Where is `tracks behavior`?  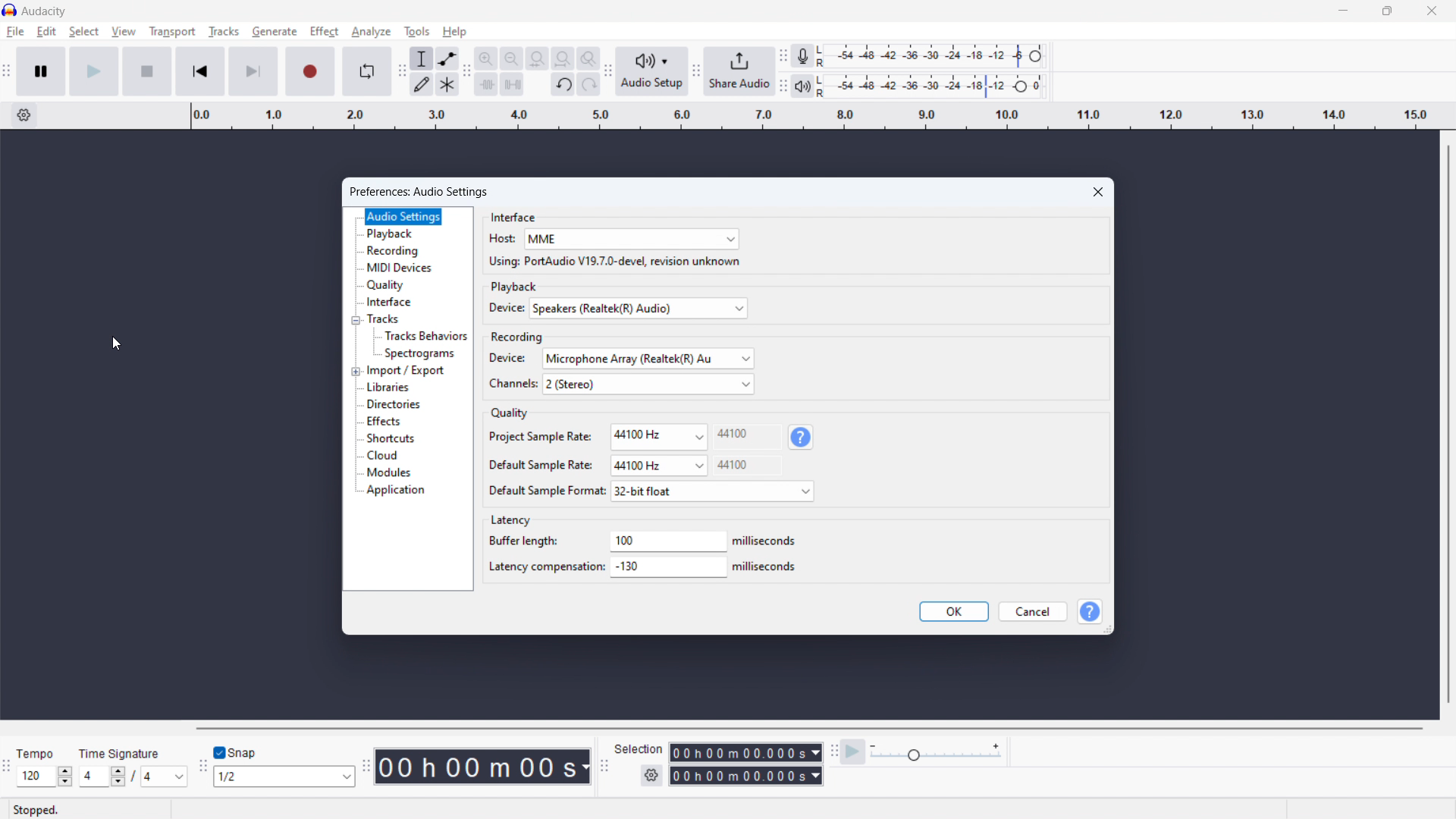 tracks behavior is located at coordinates (425, 336).